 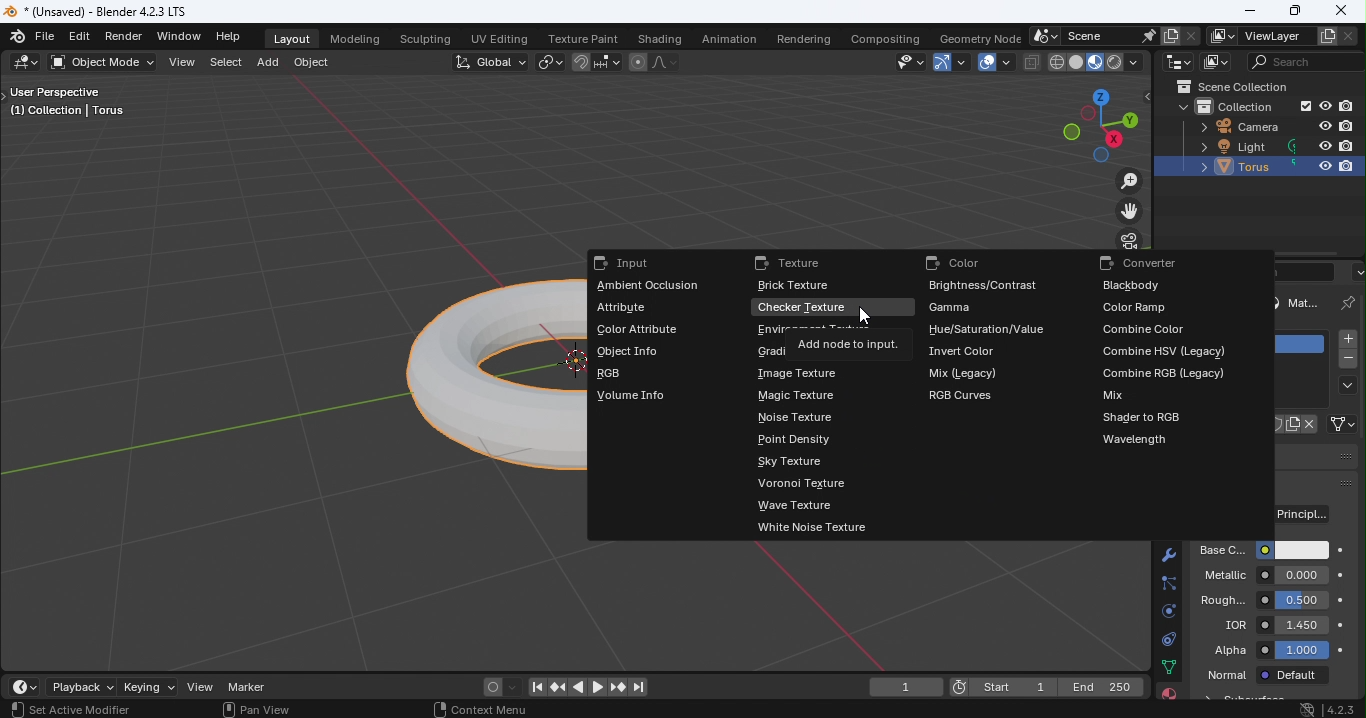 What do you see at coordinates (1219, 147) in the screenshot?
I see `Light` at bounding box center [1219, 147].